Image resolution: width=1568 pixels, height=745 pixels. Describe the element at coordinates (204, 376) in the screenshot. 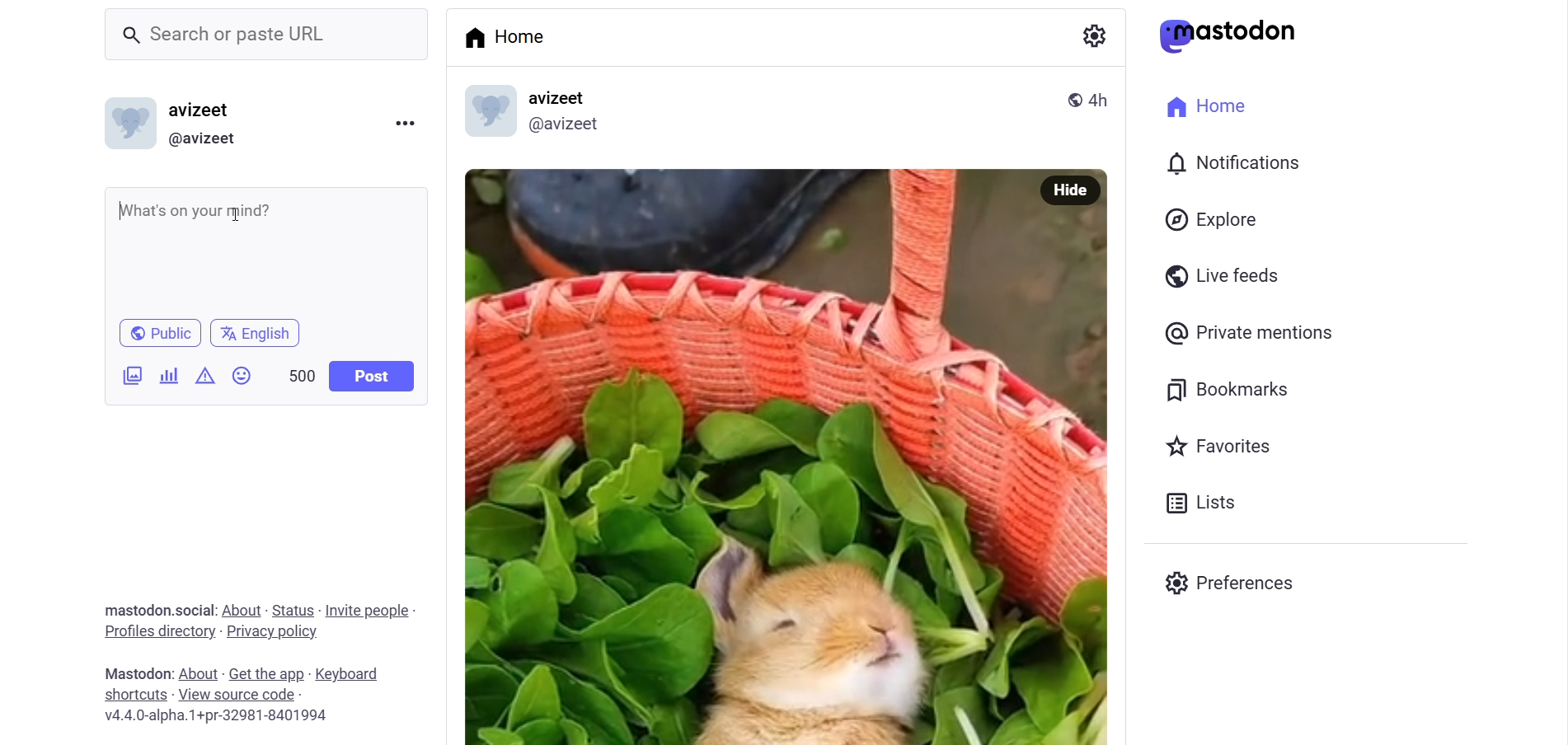

I see `Content Warning` at that location.